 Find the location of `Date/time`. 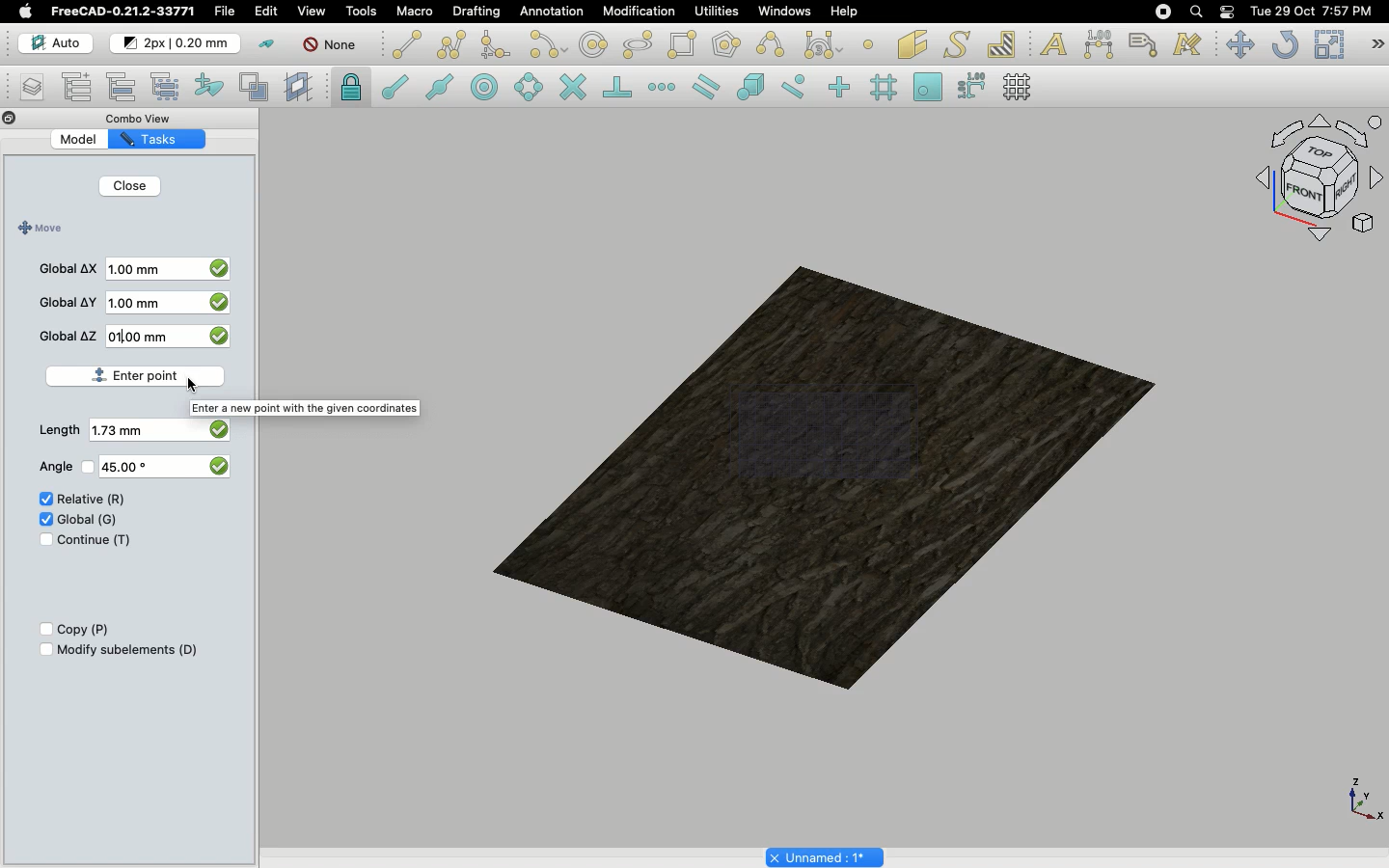

Date/time is located at coordinates (1311, 10).